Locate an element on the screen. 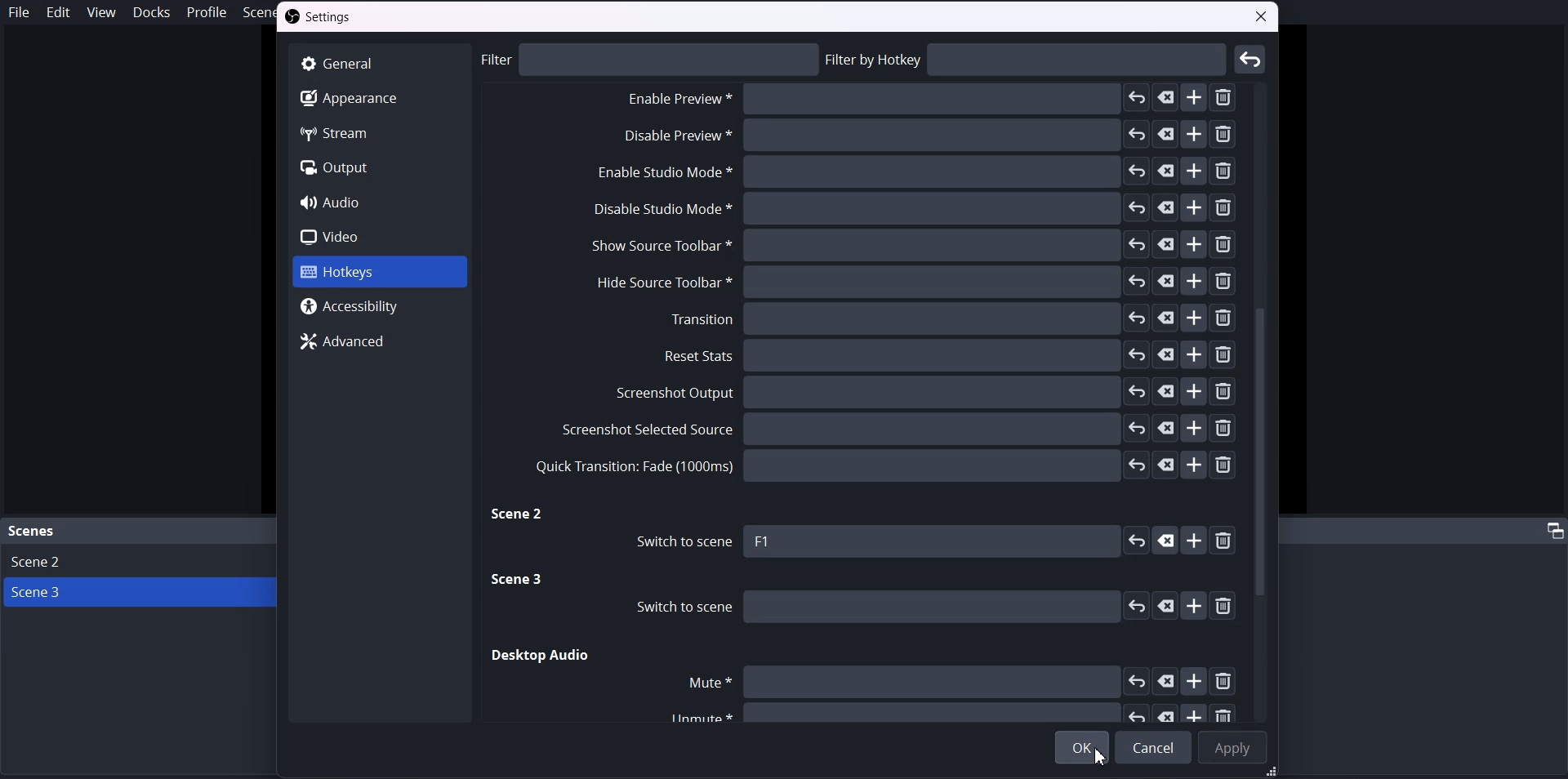 This screenshot has height=779, width=1568. delete is located at coordinates (1227, 541).